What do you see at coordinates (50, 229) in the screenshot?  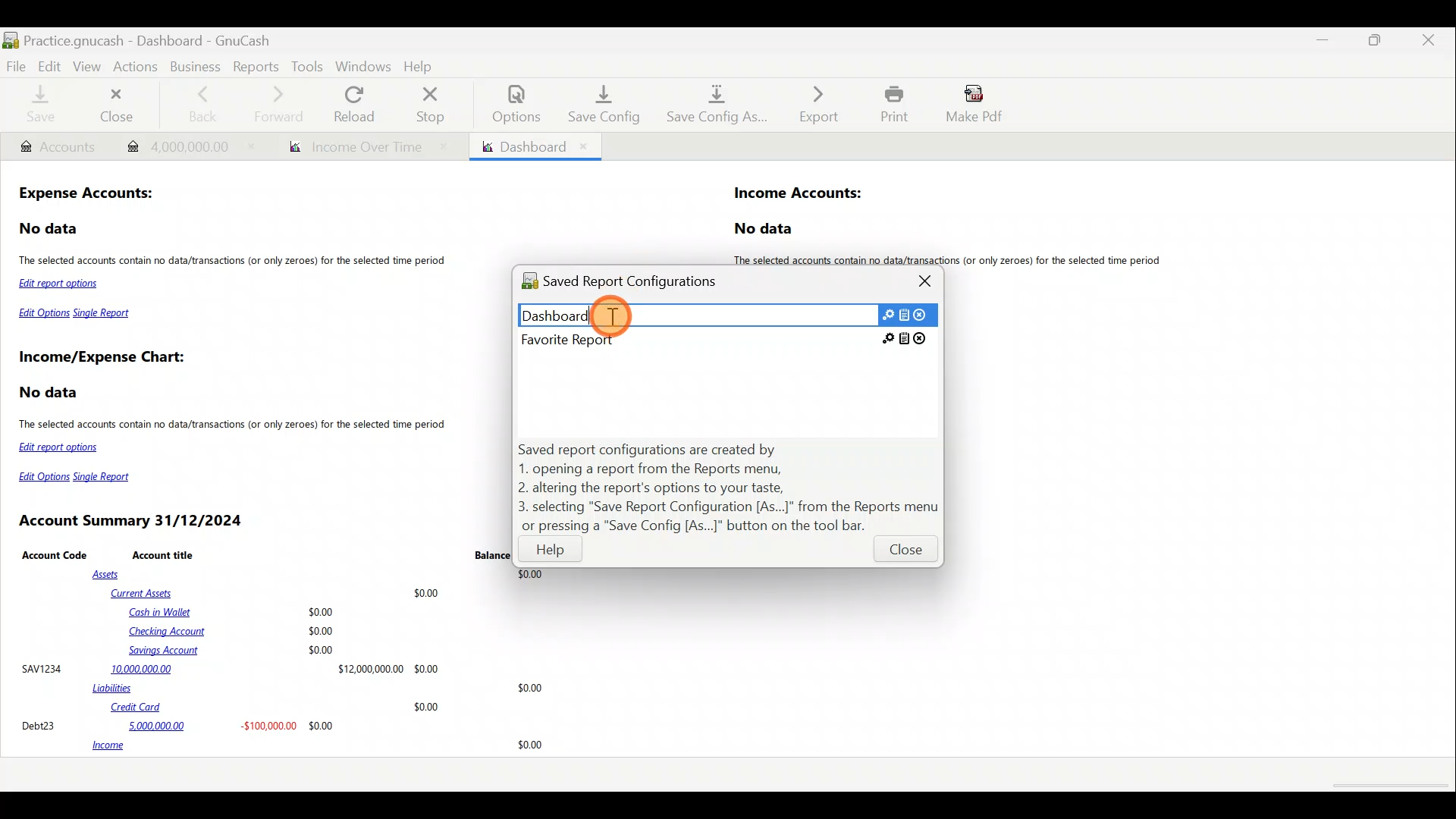 I see `No data` at bounding box center [50, 229].